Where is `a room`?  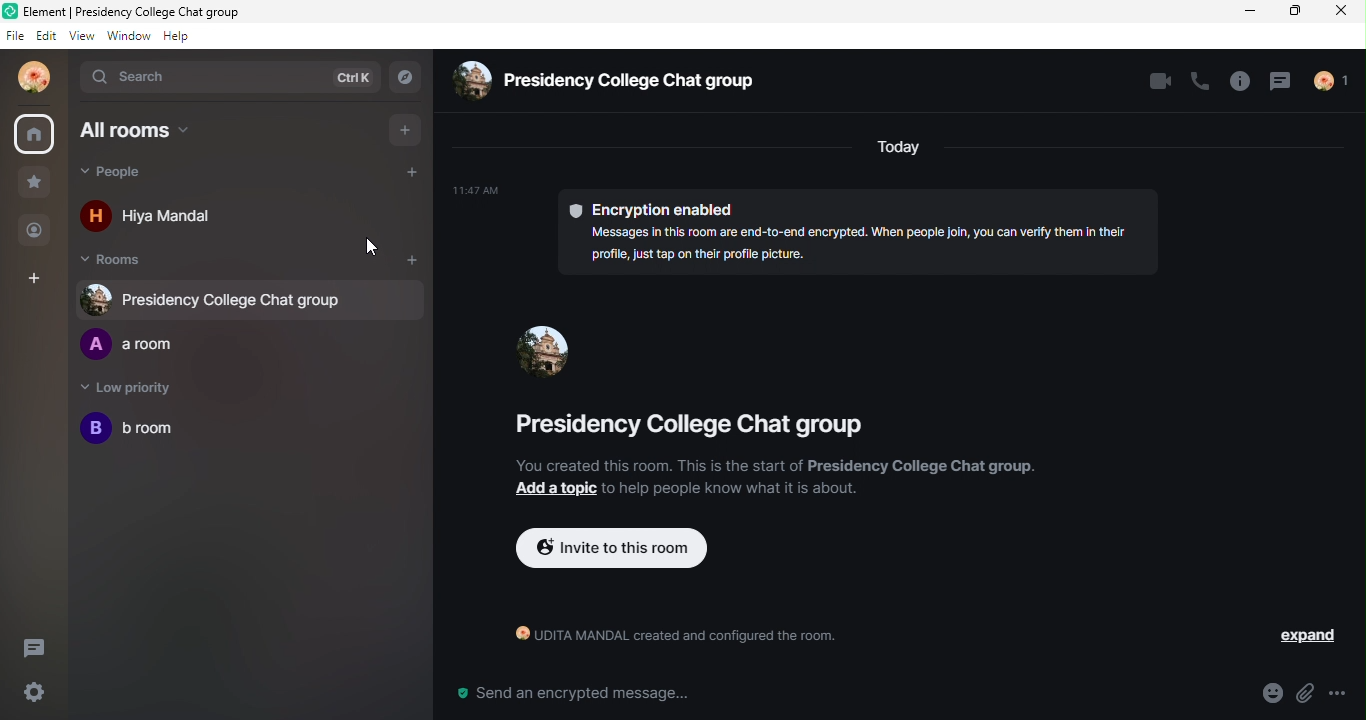 a room is located at coordinates (137, 346).